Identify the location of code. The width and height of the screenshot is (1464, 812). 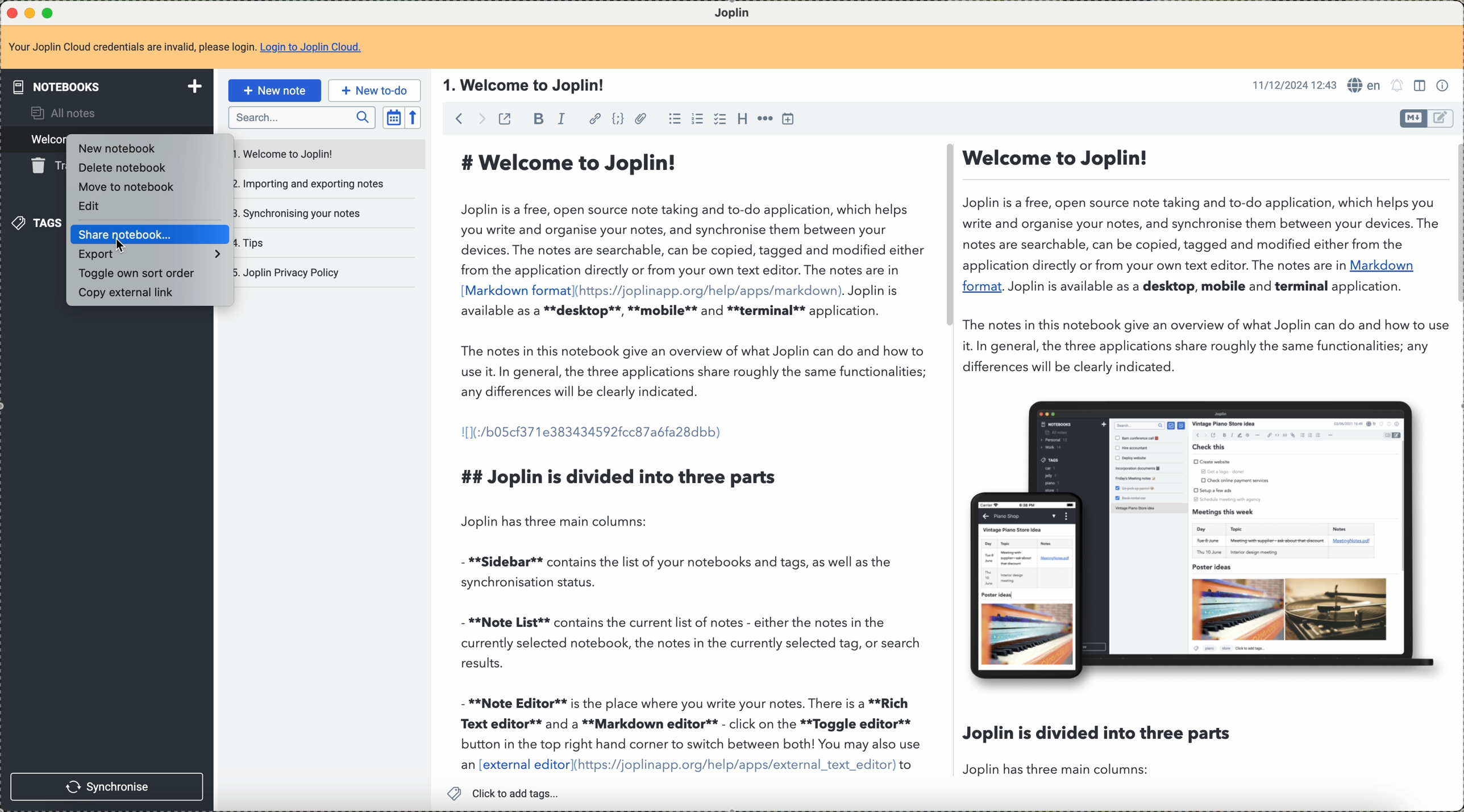
(615, 119).